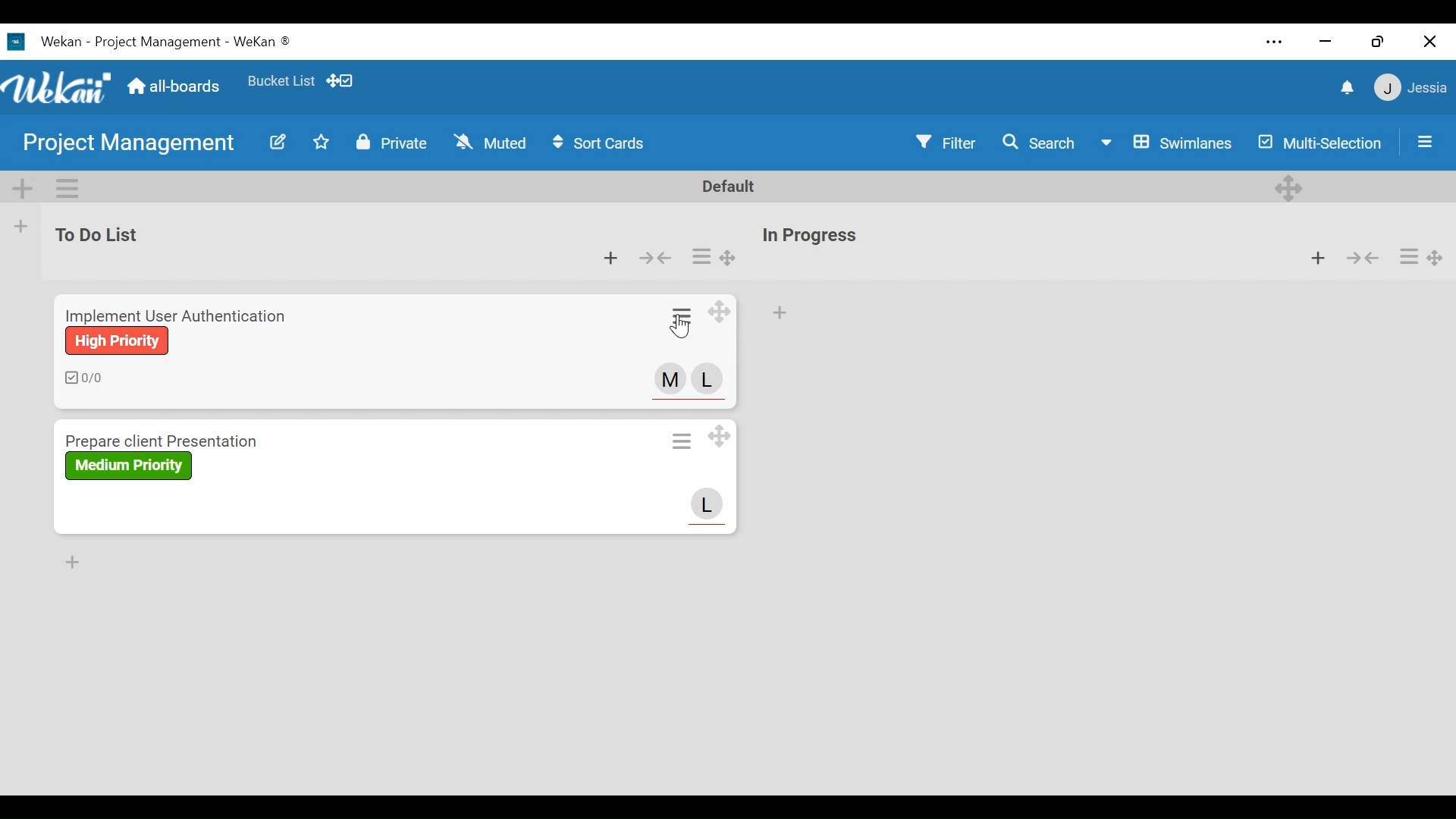 The height and width of the screenshot is (819, 1456). Describe the element at coordinates (684, 315) in the screenshot. I see `Card actions` at that location.